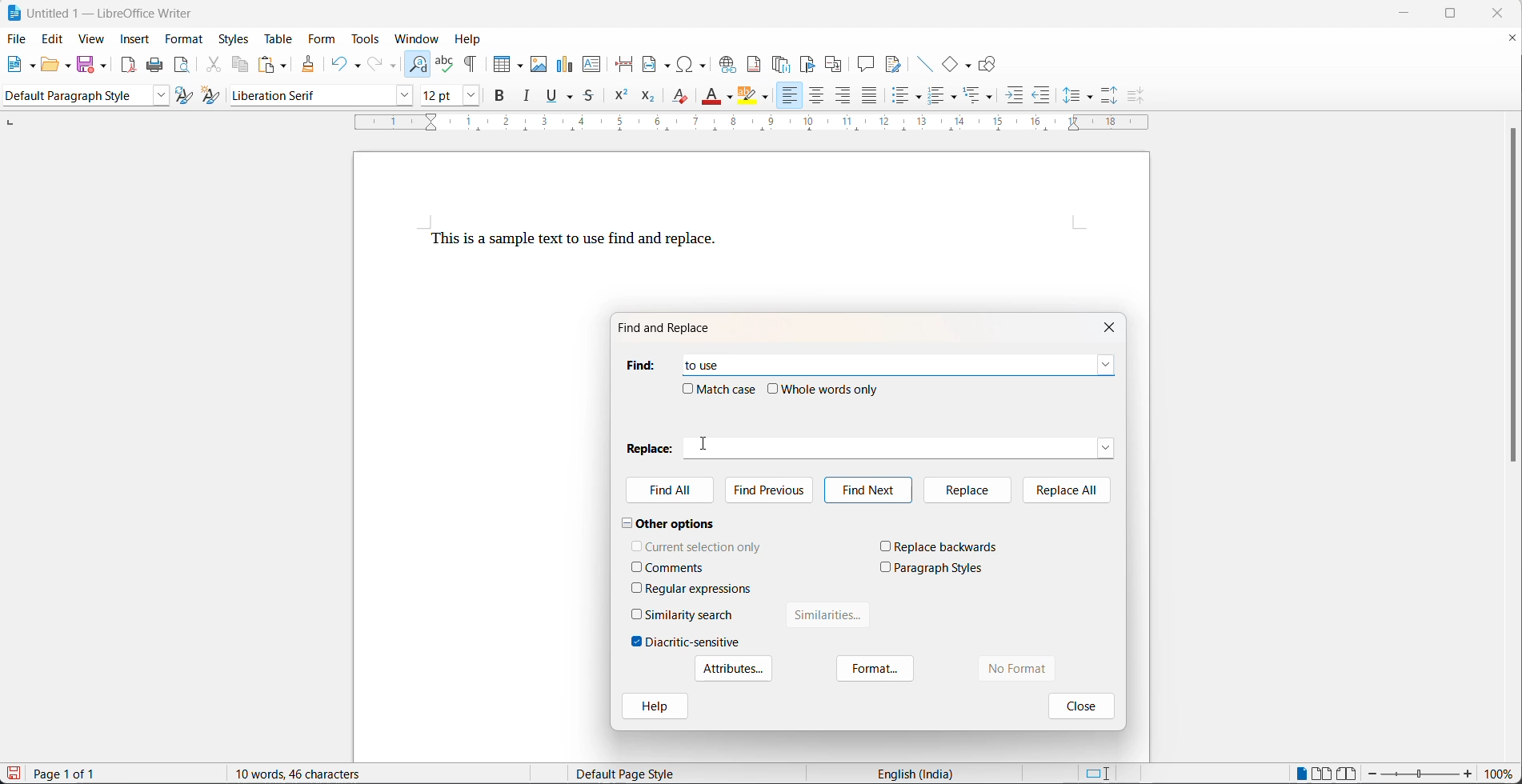 Image resolution: width=1522 pixels, height=784 pixels. What do you see at coordinates (679, 99) in the screenshot?
I see `clear direct formatting` at bounding box center [679, 99].